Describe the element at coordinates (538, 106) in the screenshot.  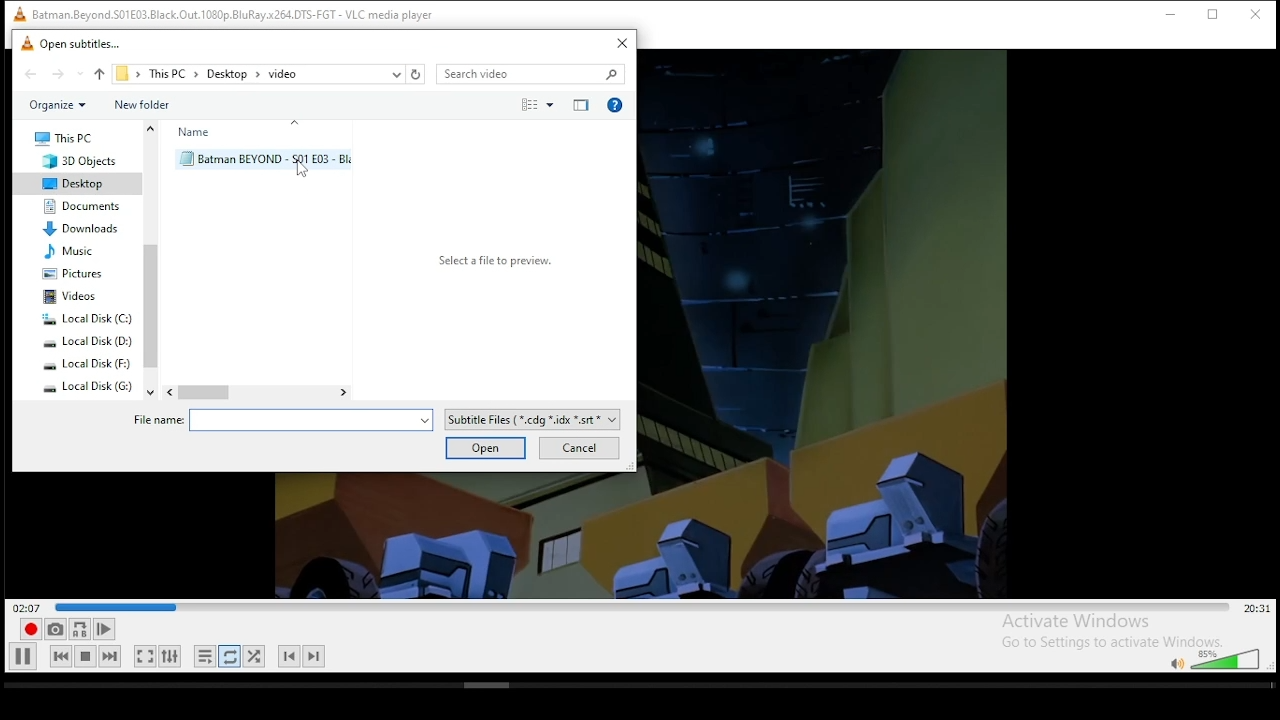
I see `select view` at that location.